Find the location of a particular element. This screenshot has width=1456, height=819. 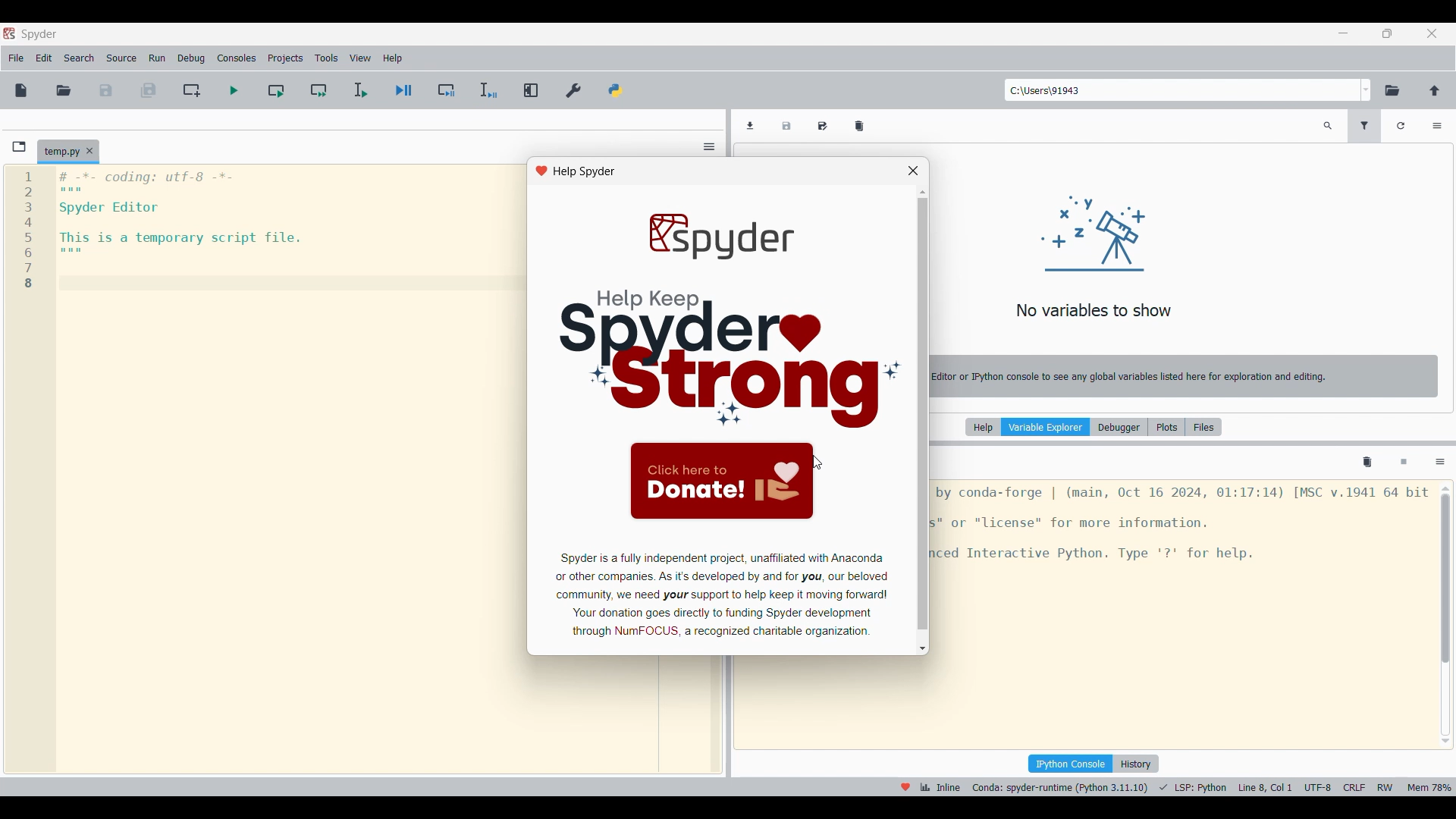

File menu is located at coordinates (17, 58).